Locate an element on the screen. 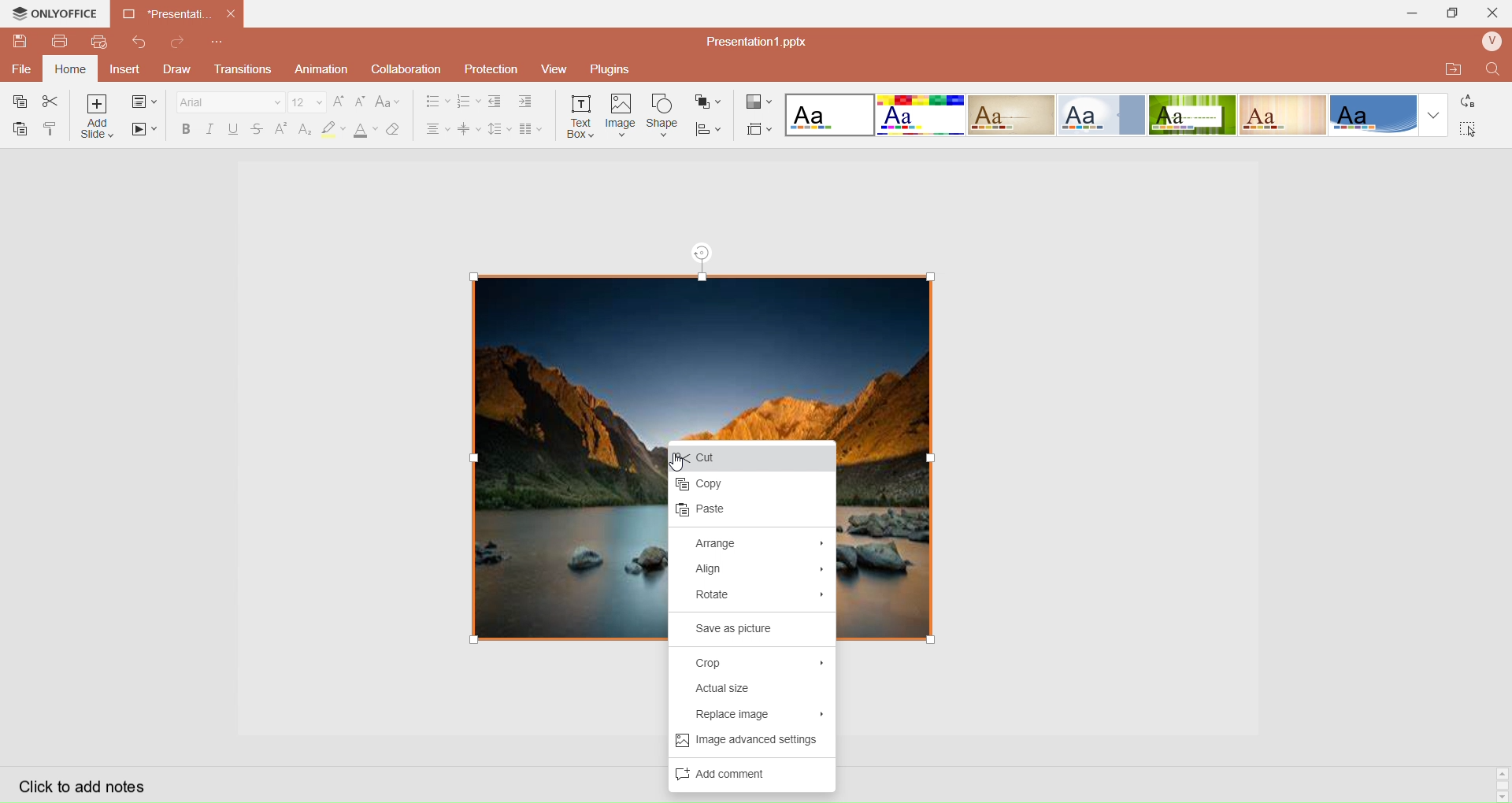  Print File is located at coordinates (60, 42).